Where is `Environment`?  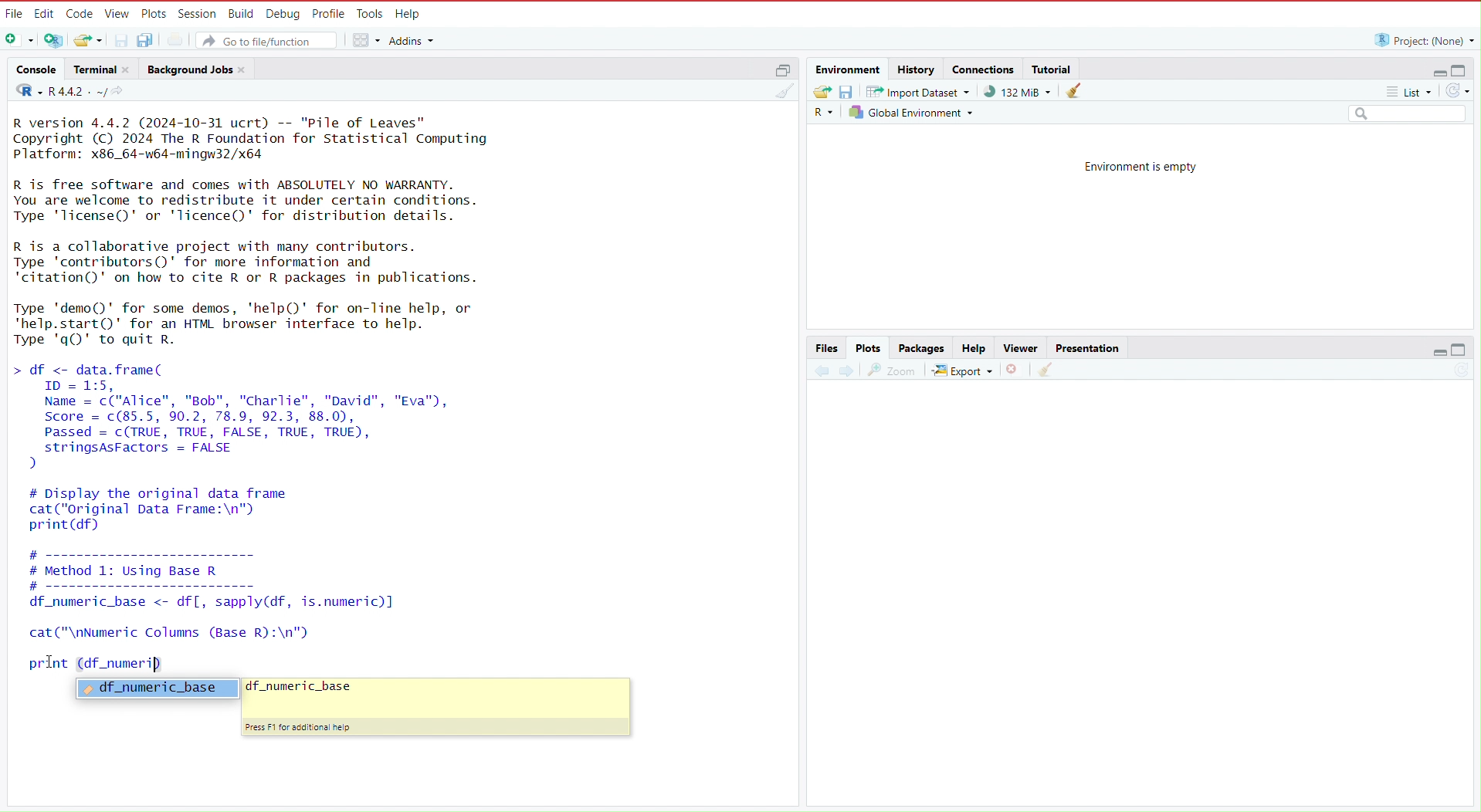 Environment is located at coordinates (849, 67).